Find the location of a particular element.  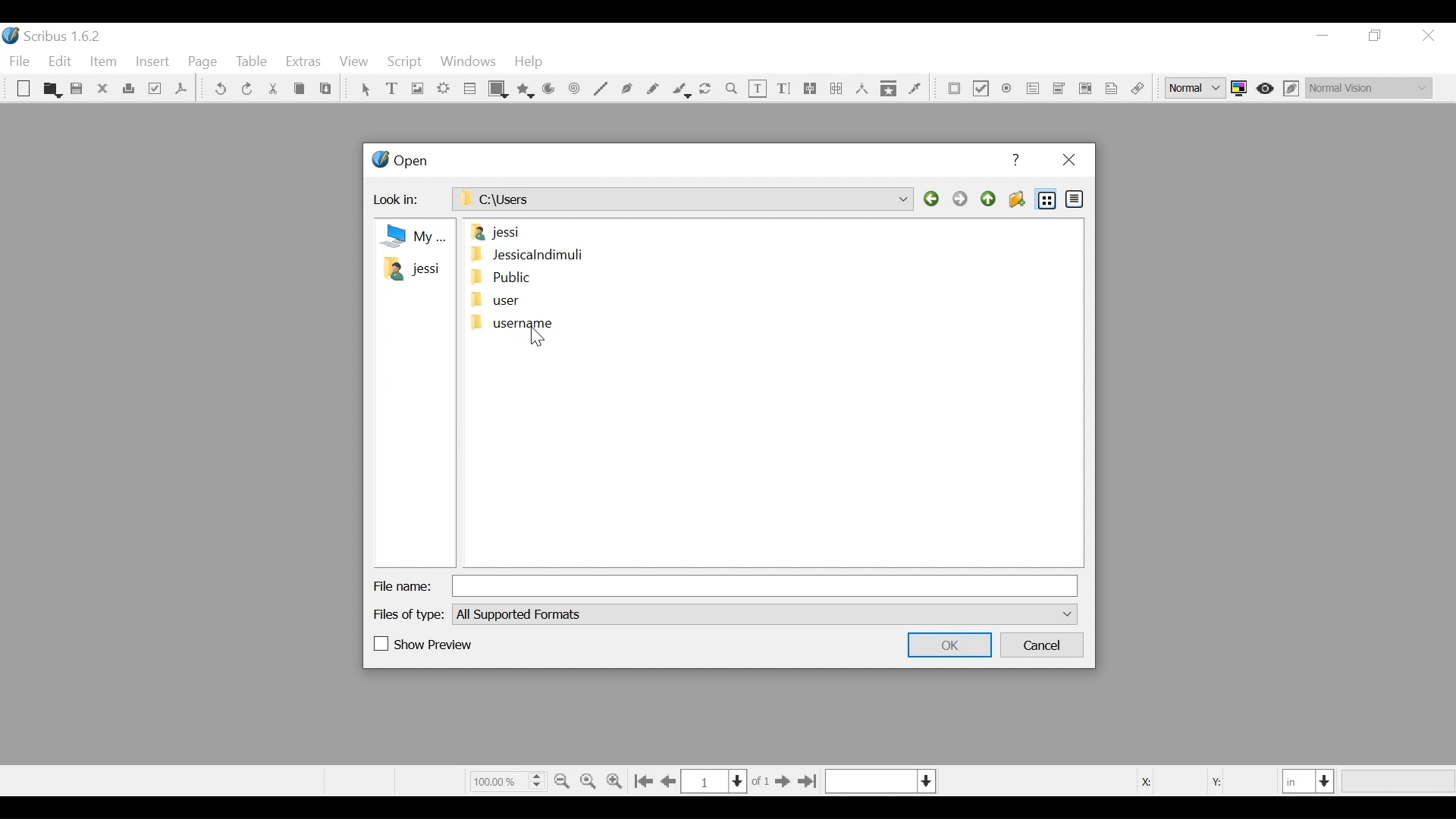

PDF Check Box is located at coordinates (981, 90).